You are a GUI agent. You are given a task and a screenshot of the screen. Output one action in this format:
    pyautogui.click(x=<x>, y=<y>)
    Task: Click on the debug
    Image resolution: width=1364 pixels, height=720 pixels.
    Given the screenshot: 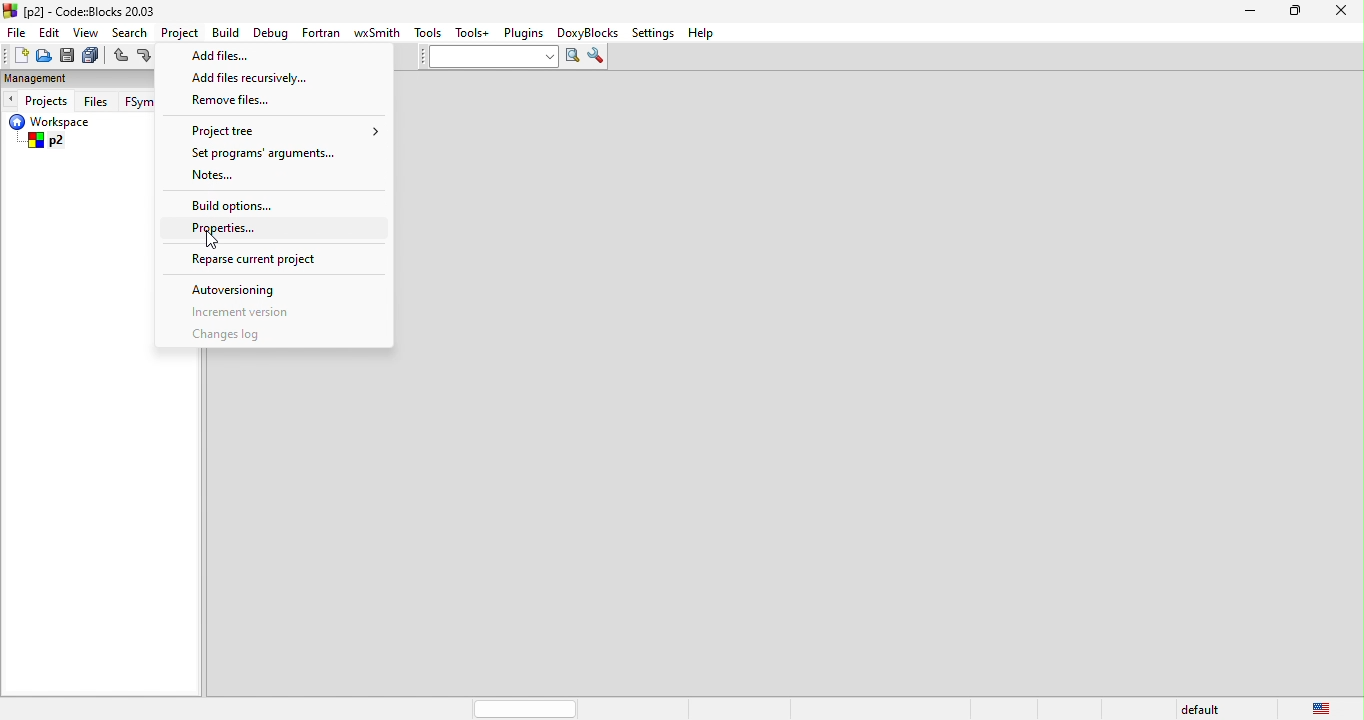 What is the action you would take?
    pyautogui.click(x=272, y=33)
    